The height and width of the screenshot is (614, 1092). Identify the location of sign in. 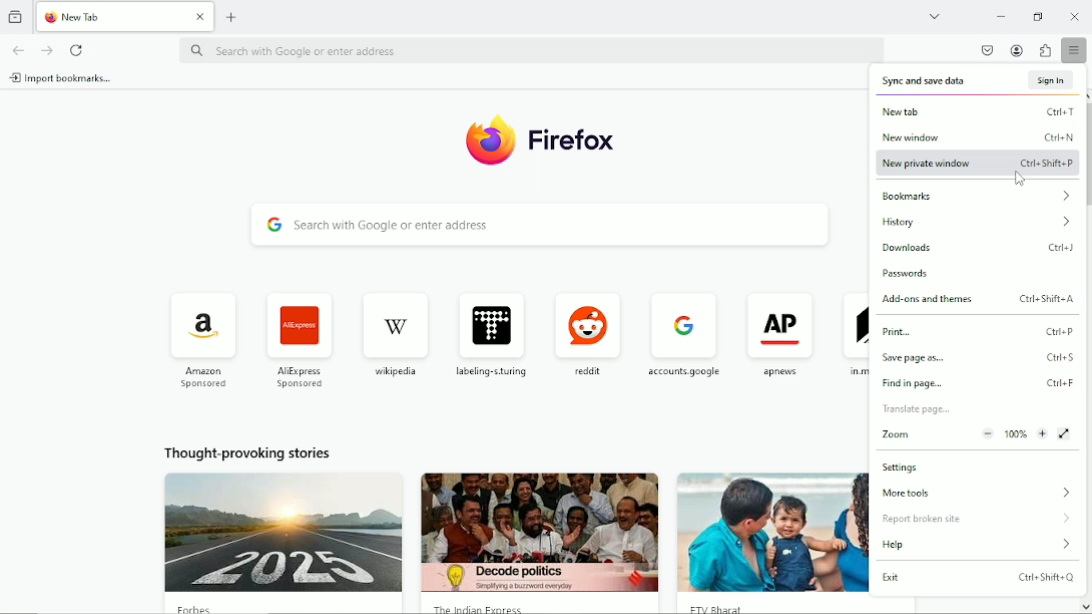
(1051, 80).